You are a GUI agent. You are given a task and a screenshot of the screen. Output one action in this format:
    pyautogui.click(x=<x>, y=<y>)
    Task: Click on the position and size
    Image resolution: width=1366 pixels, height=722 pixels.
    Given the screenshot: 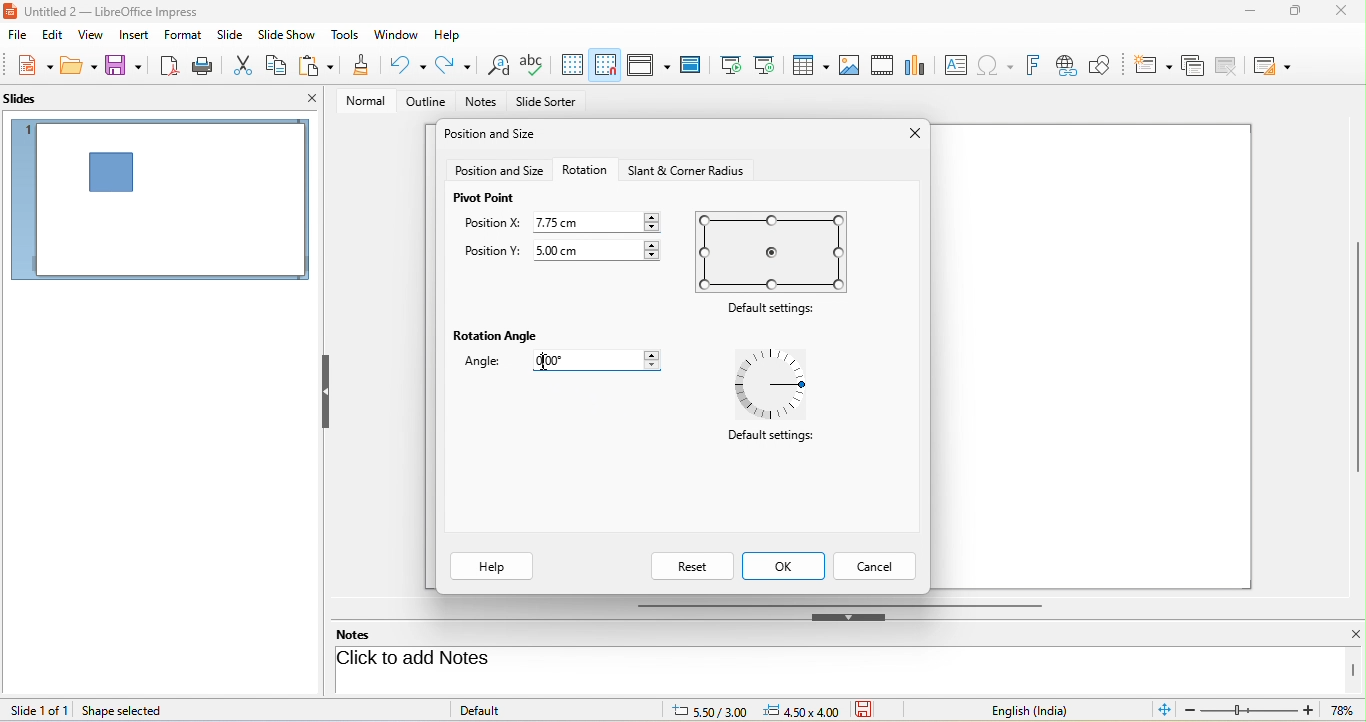 What is the action you would take?
    pyautogui.click(x=499, y=171)
    